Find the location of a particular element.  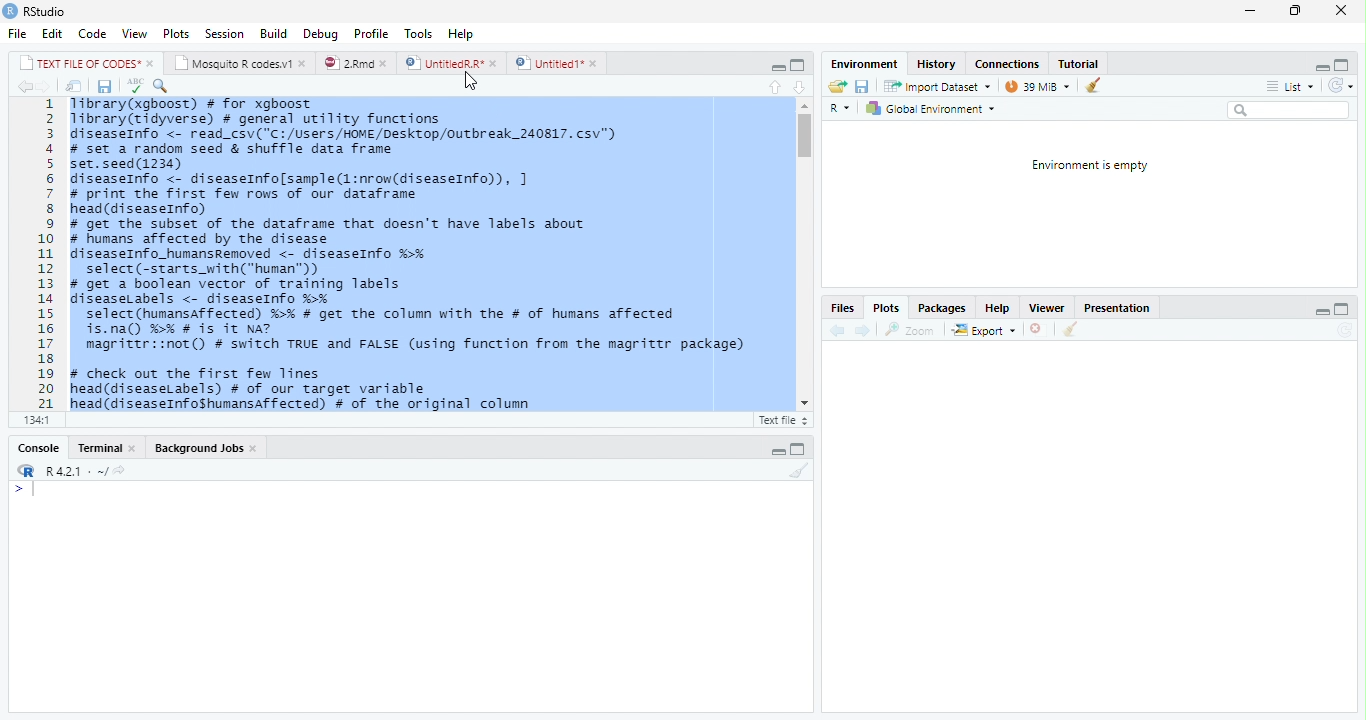

Presentation is located at coordinates (1119, 306).